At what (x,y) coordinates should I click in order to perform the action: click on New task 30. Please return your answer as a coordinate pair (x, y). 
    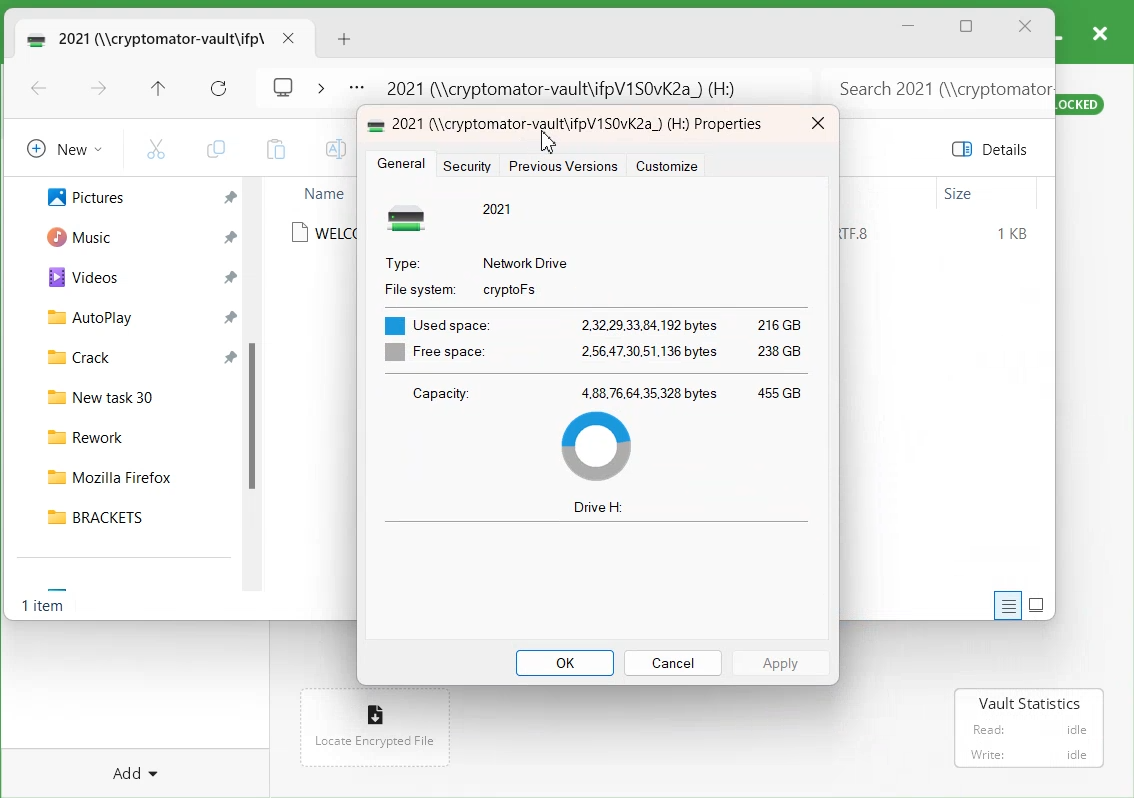
    Looking at the image, I should click on (131, 394).